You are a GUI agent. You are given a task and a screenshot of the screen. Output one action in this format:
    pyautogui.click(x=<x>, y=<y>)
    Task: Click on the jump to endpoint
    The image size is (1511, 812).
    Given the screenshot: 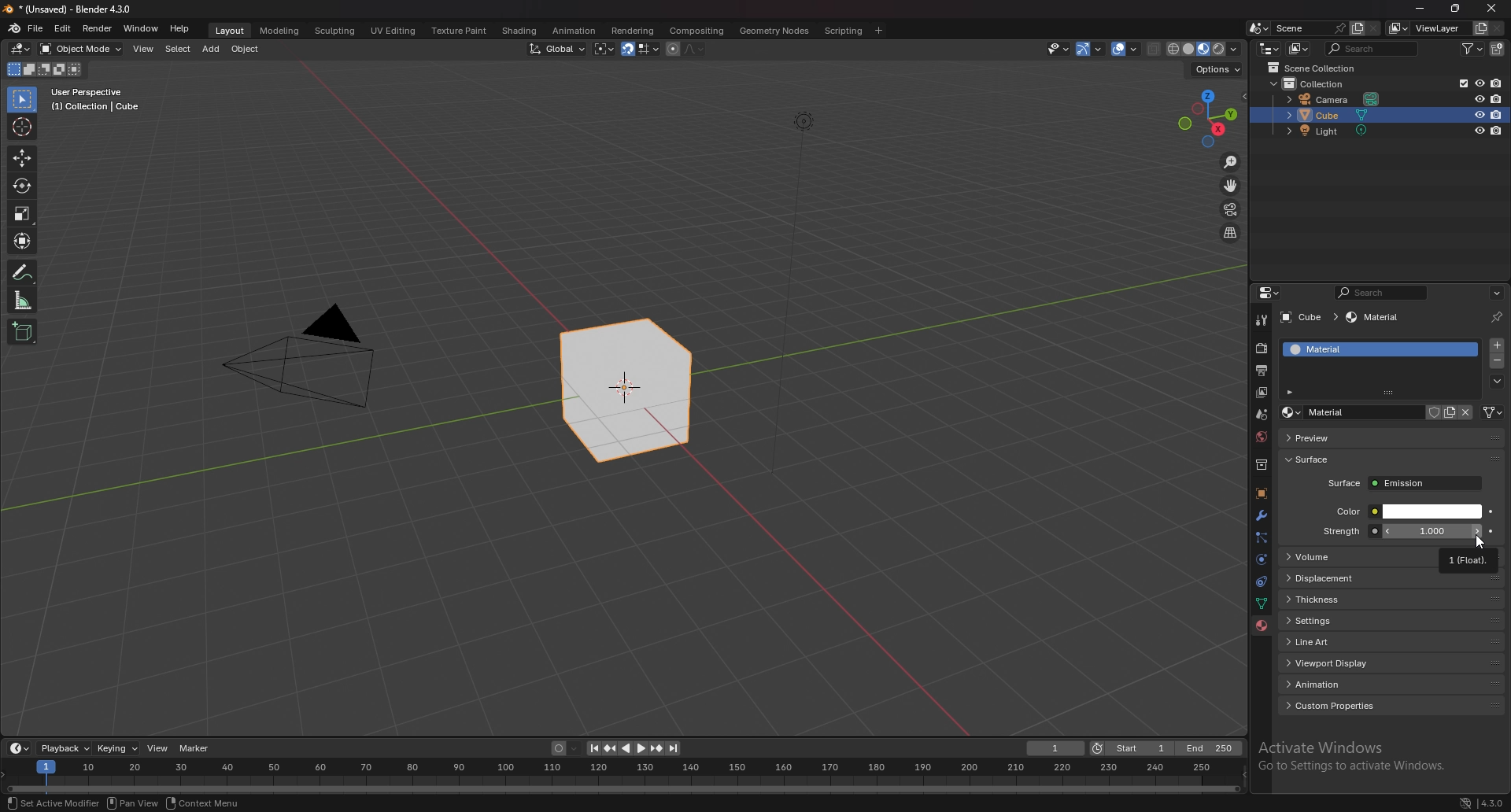 What is the action you would take?
    pyautogui.click(x=590, y=748)
    